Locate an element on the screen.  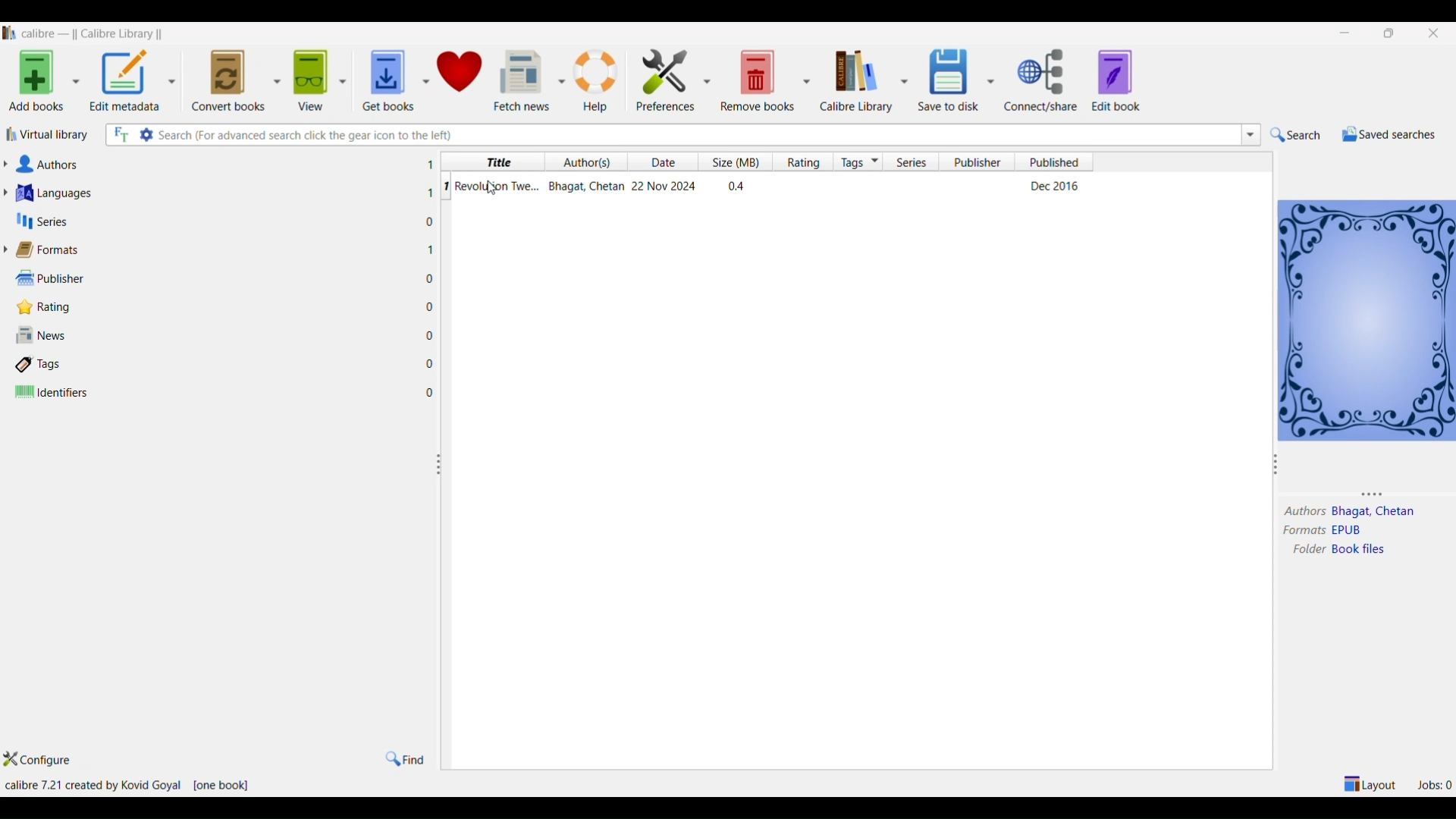
help is located at coordinates (598, 79).